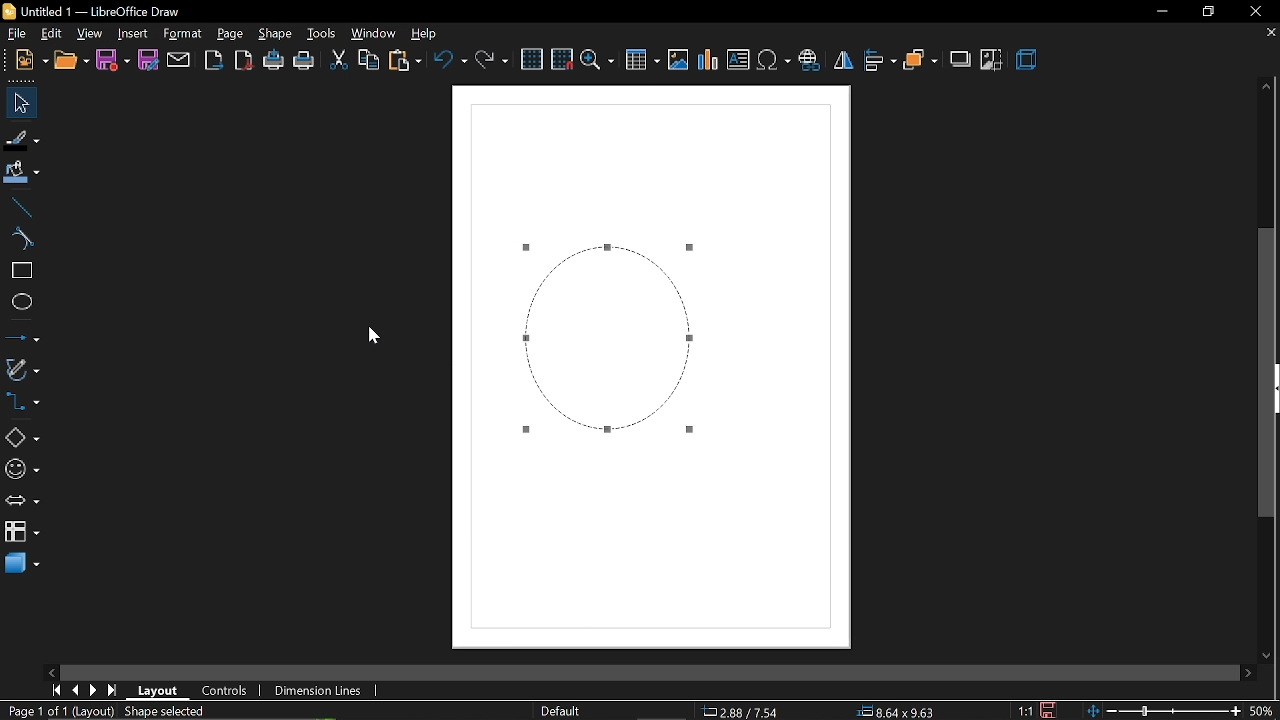 This screenshot has height=720, width=1280. What do you see at coordinates (24, 239) in the screenshot?
I see `curve` at bounding box center [24, 239].